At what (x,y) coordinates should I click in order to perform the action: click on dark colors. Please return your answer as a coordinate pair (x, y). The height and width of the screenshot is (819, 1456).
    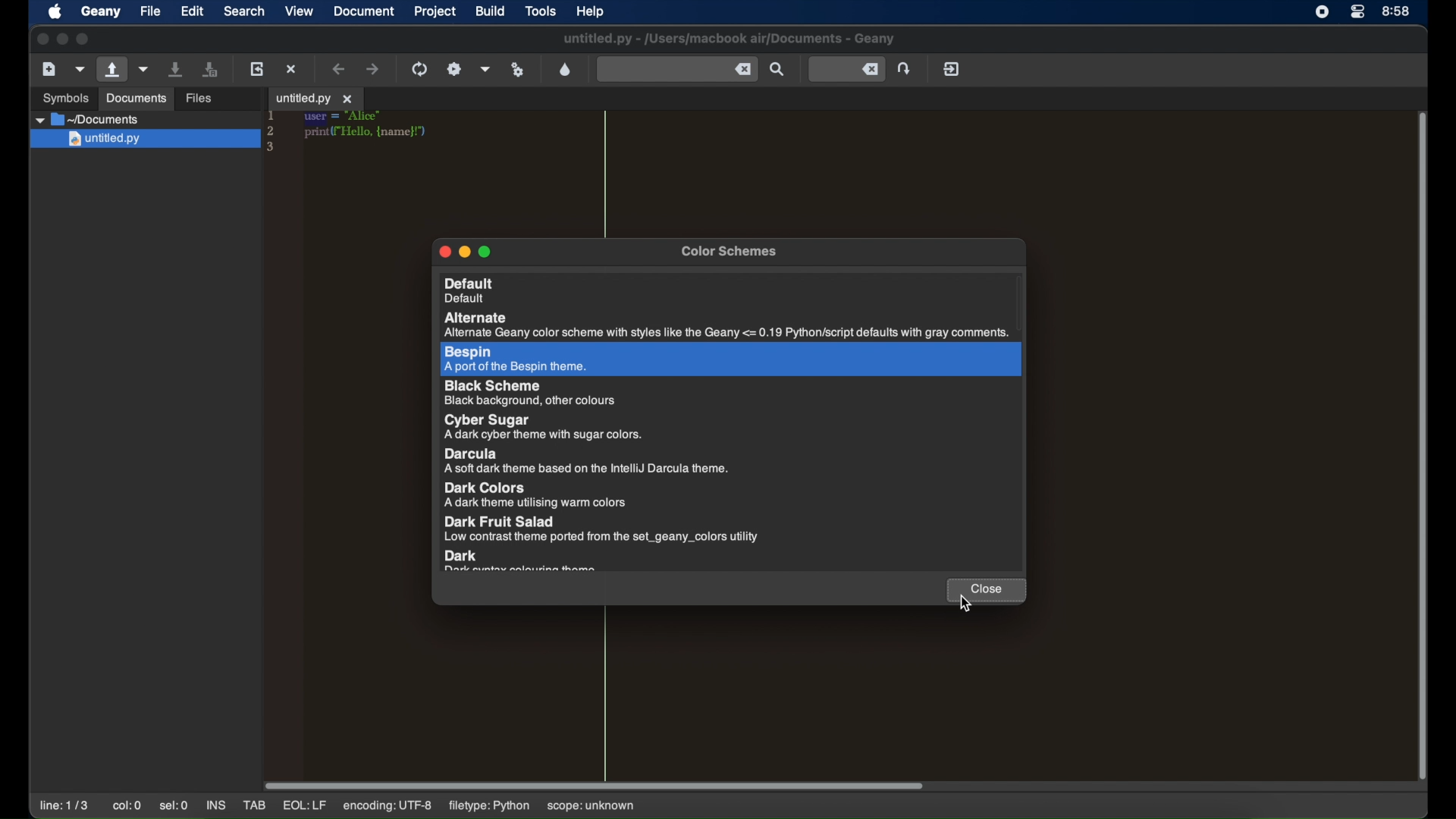
    Looking at the image, I should click on (540, 495).